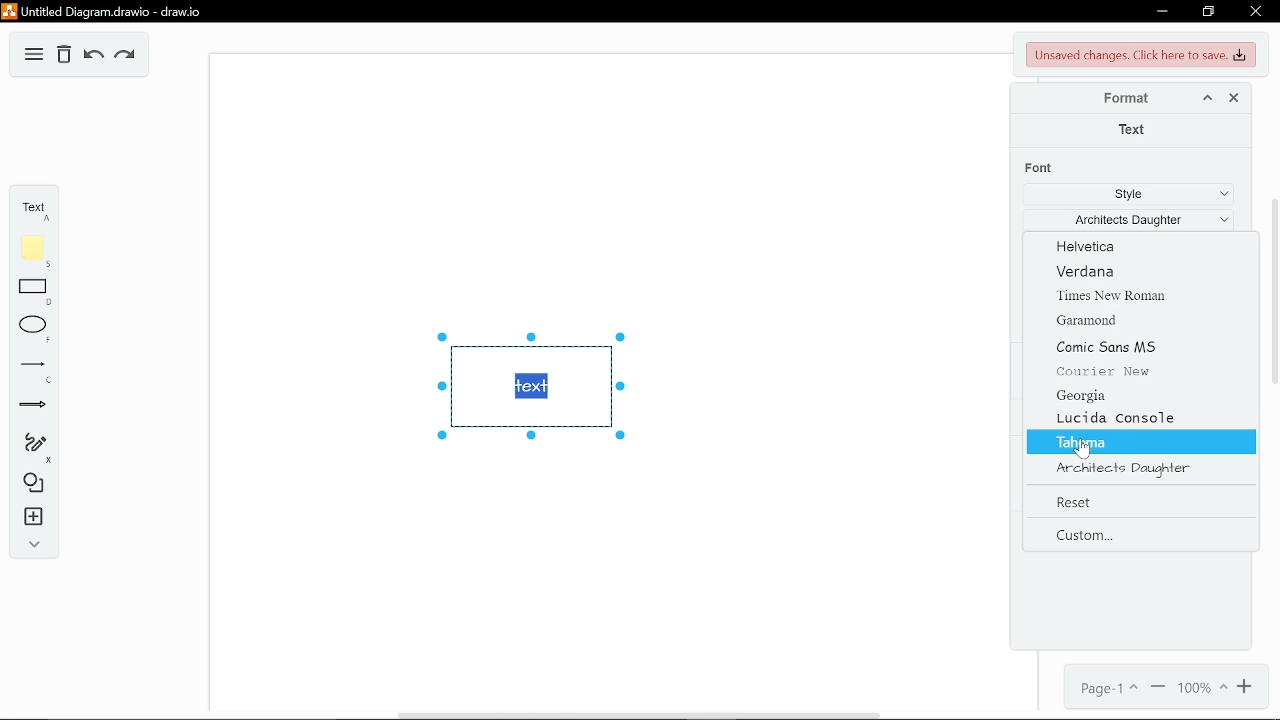 This screenshot has height=720, width=1280. I want to click on close, so click(1254, 13).